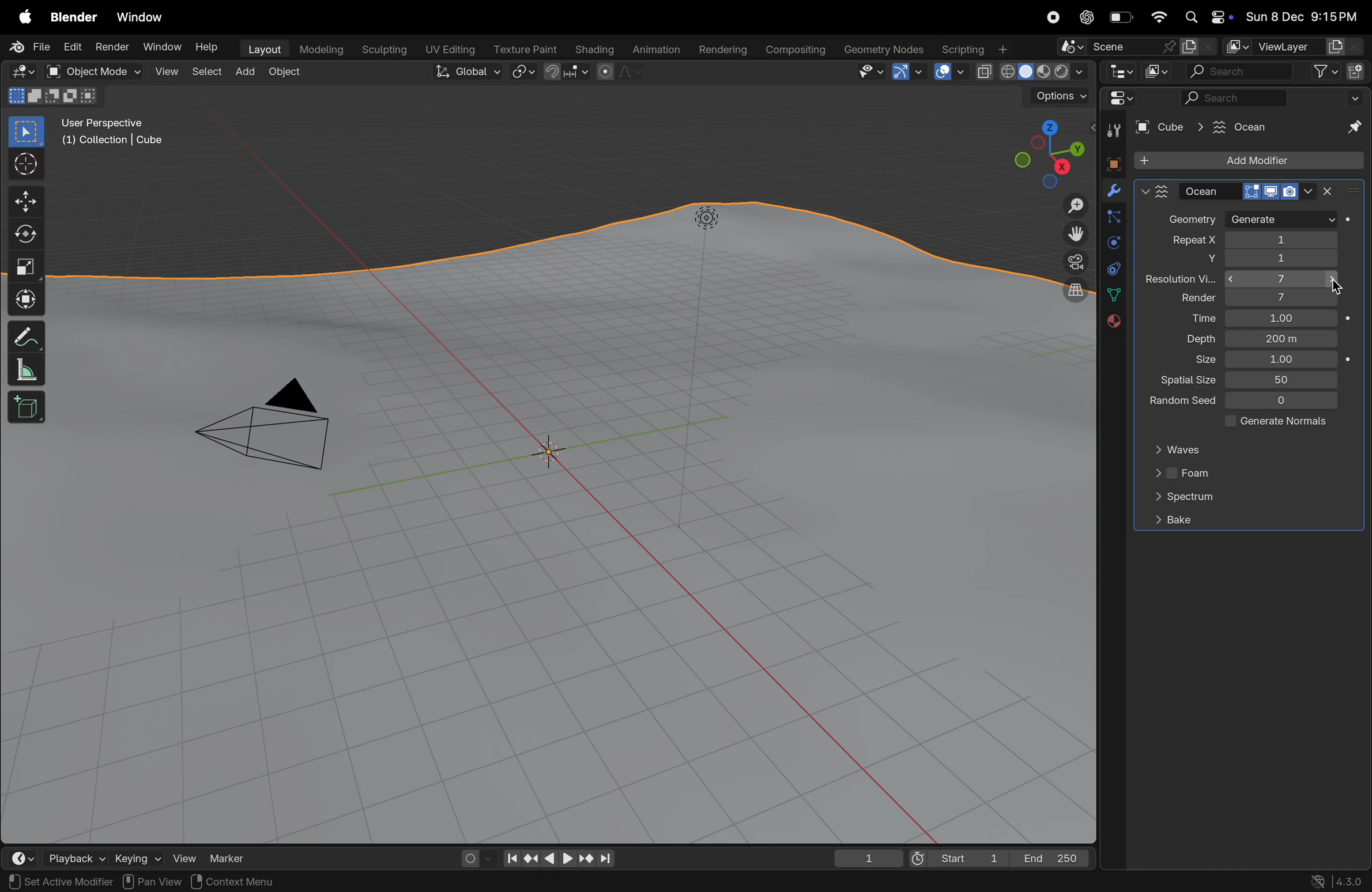 Image resolution: width=1372 pixels, height=892 pixels. Describe the element at coordinates (26, 236) in the screenshot. I see `rotate` at that location.